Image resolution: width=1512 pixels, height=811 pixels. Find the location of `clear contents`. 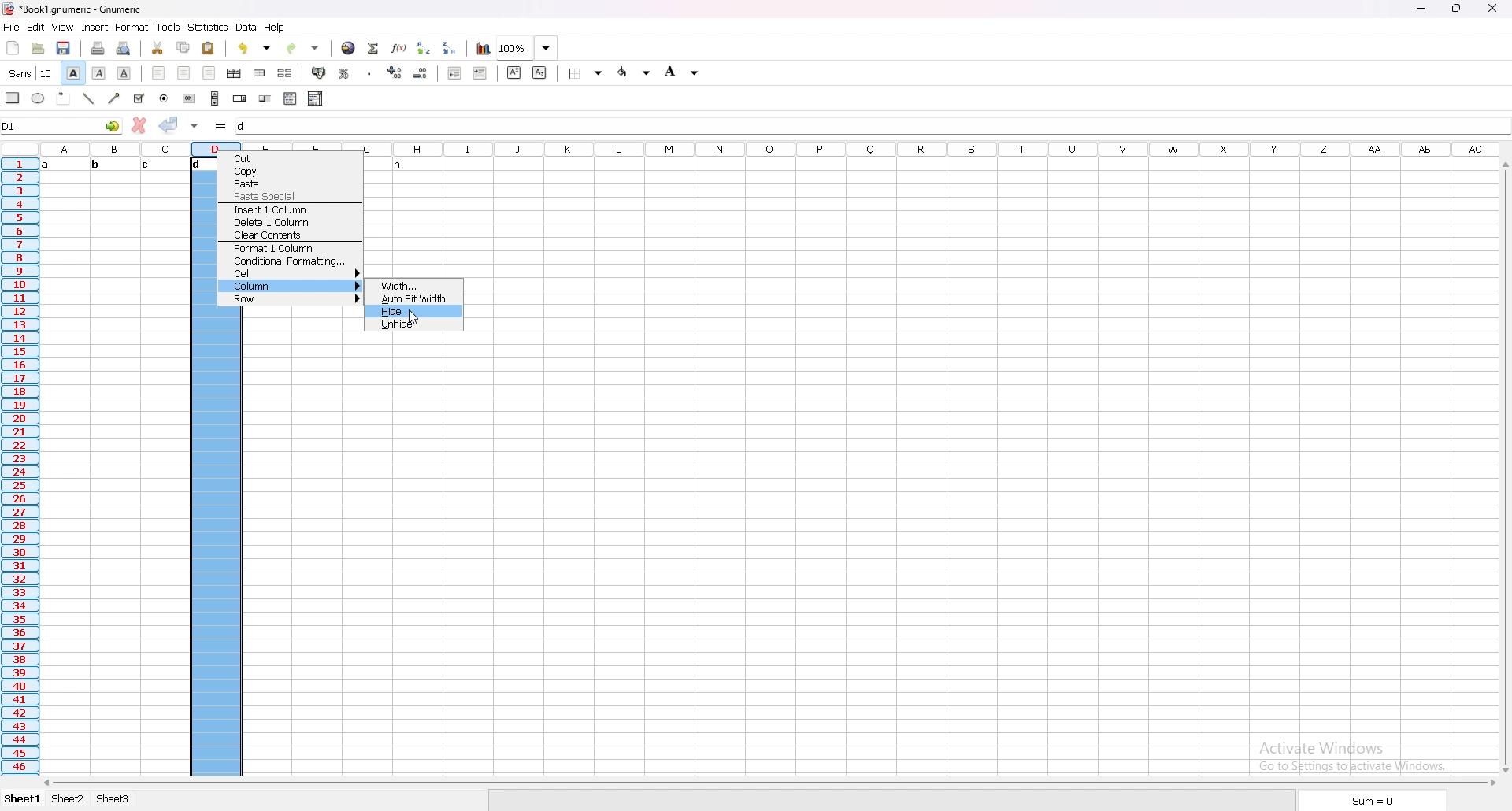

clear contents is located at coordinates (290, 235).